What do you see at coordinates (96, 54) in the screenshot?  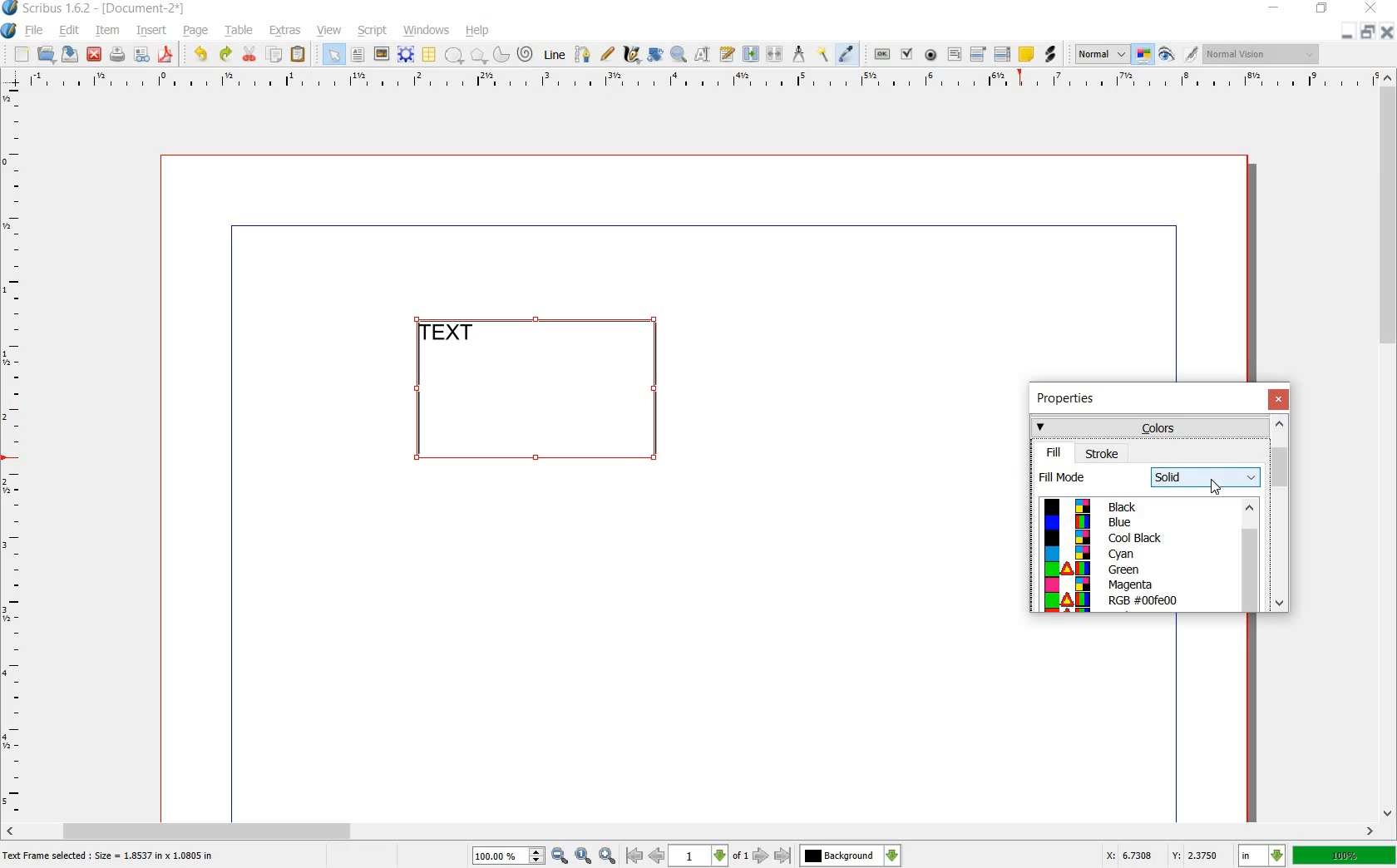 I see `close` at bounding box center [96, 54].